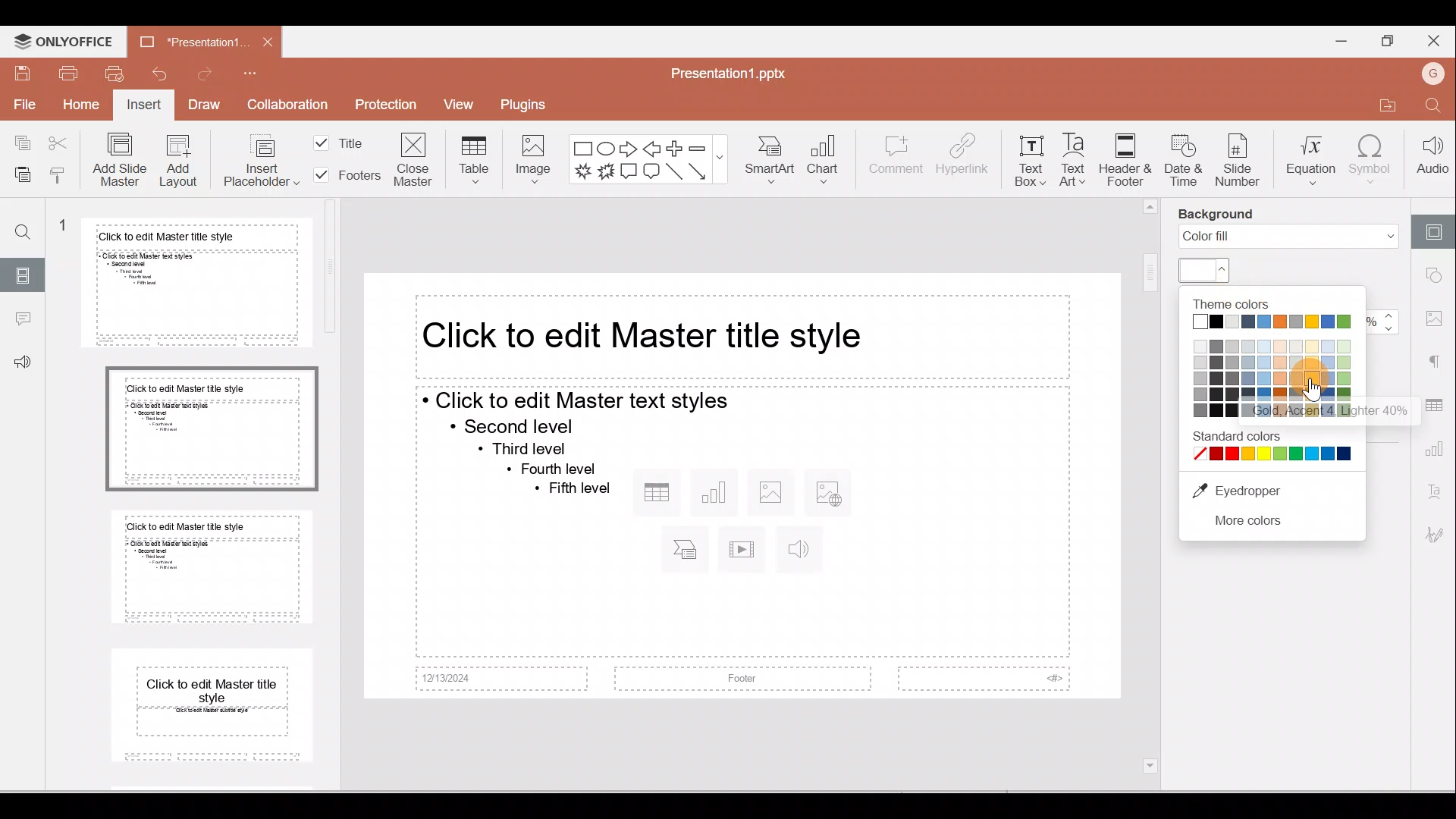  I want to click on Comment, so click(23, 318).